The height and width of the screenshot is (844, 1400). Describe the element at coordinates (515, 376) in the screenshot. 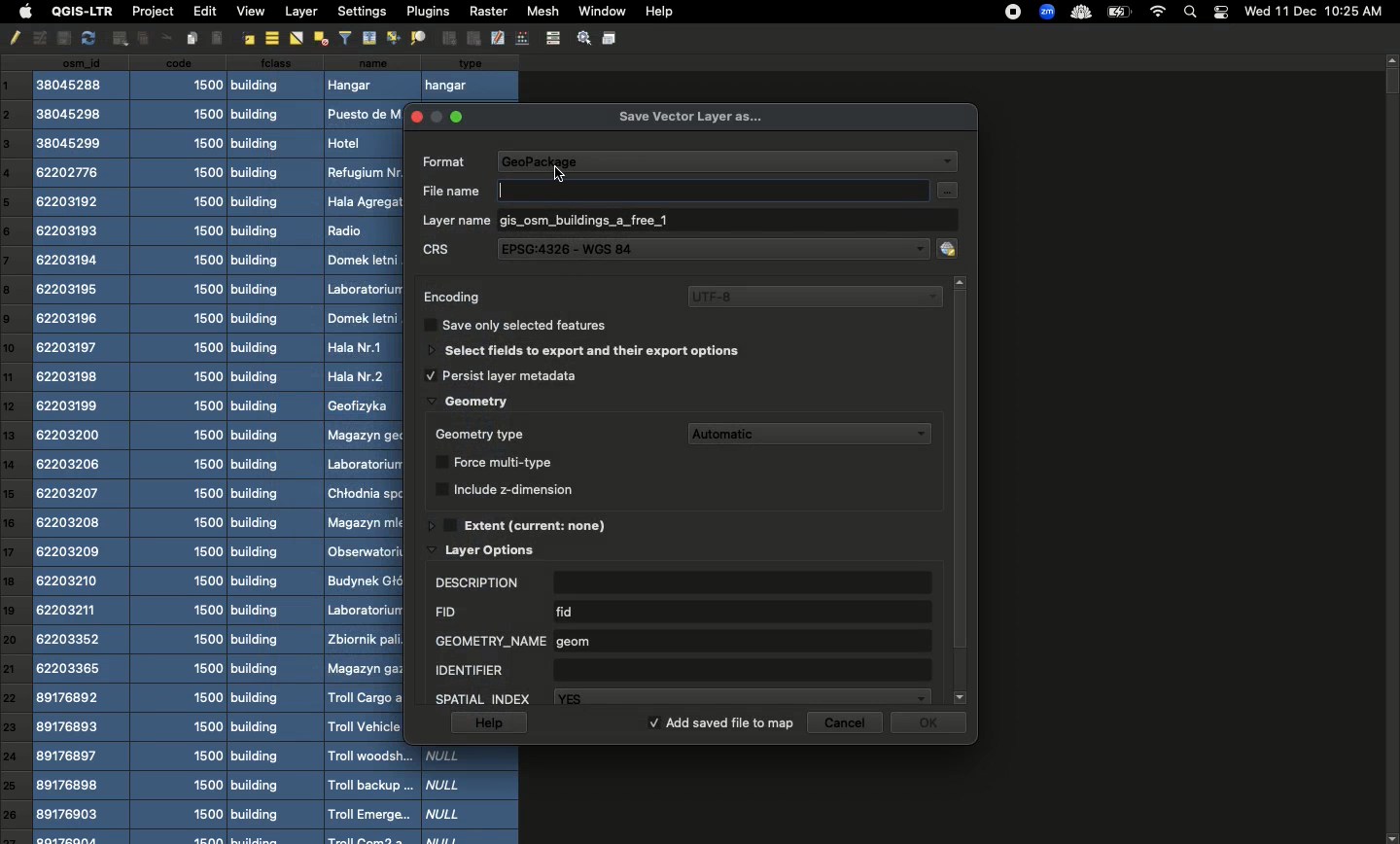

I see `Persist layer metadata` at that location.